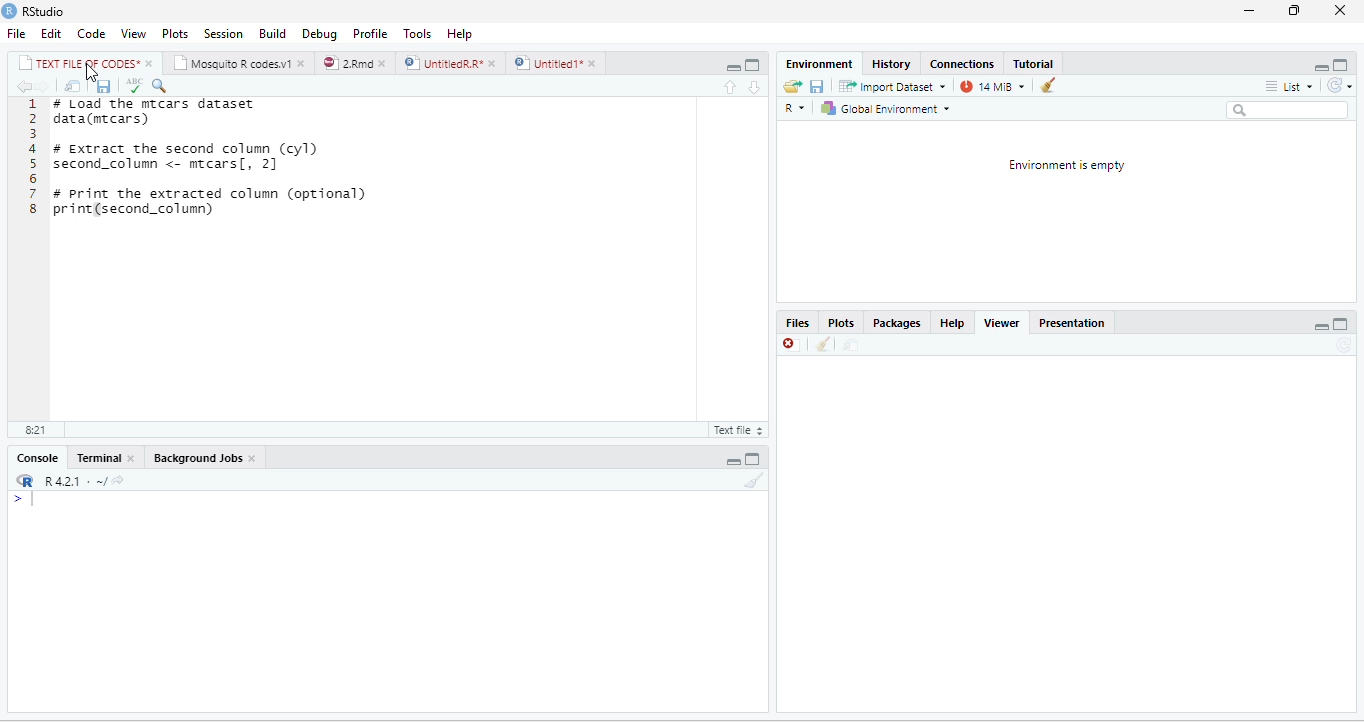 The width and height of the screenshot is (1364, 722). I want to click on History, so click(891, 63).